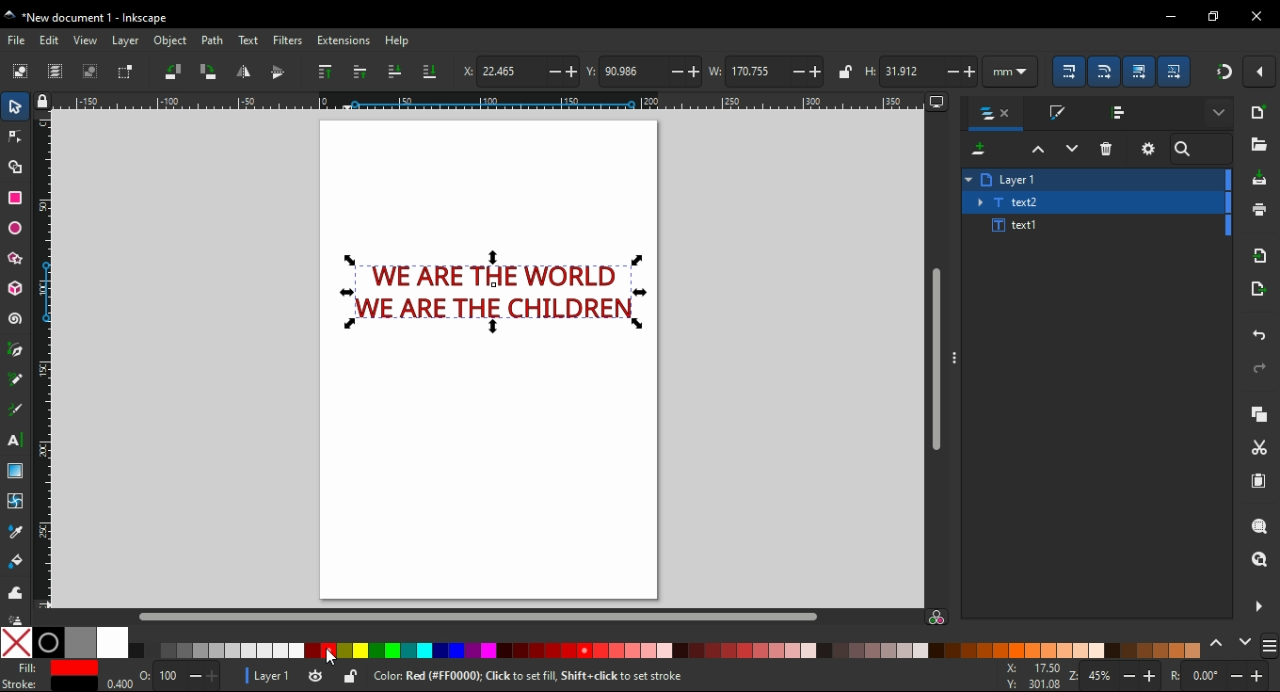  I want to click on vertical coordinates of selected object, so click(644, 69).